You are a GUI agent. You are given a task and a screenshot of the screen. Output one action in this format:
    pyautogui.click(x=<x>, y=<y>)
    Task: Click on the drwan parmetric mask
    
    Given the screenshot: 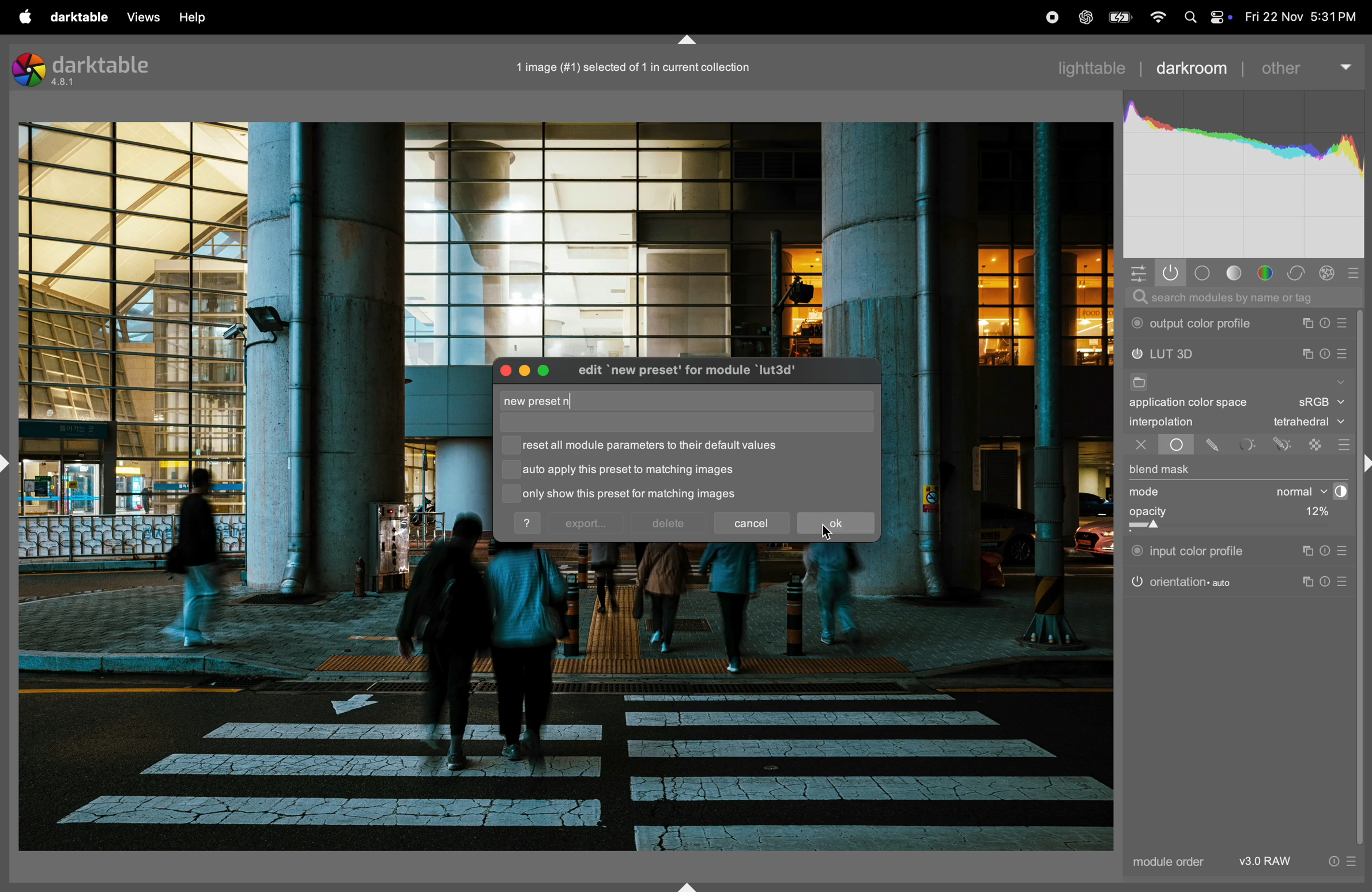 What is the action you would take?
    pyautogui.click(x=1285, y=443)
    